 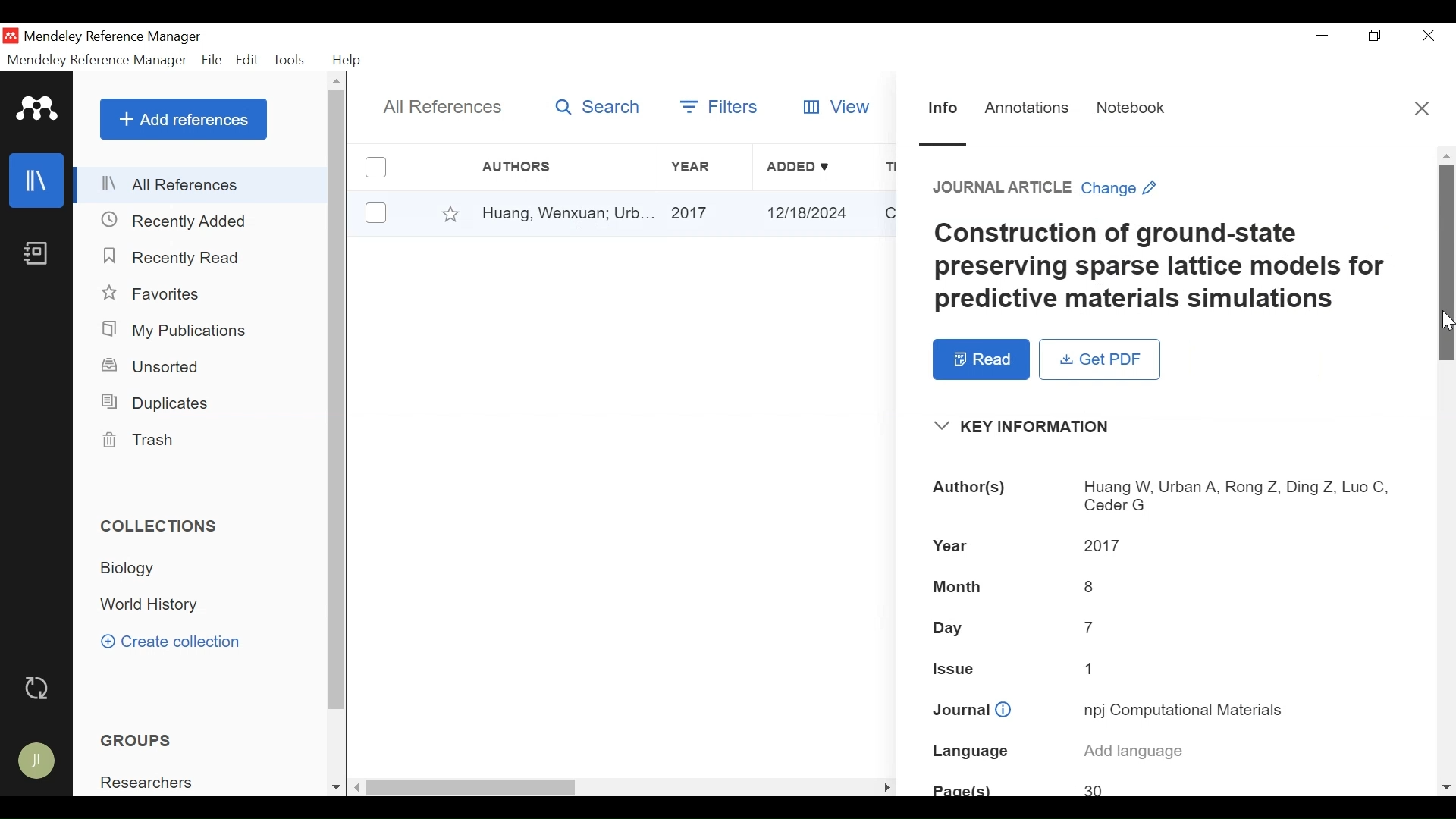 What do you see at coordinates (959, 710) in the screenshot?
I see `Journal` at bounding box center [959, 710].